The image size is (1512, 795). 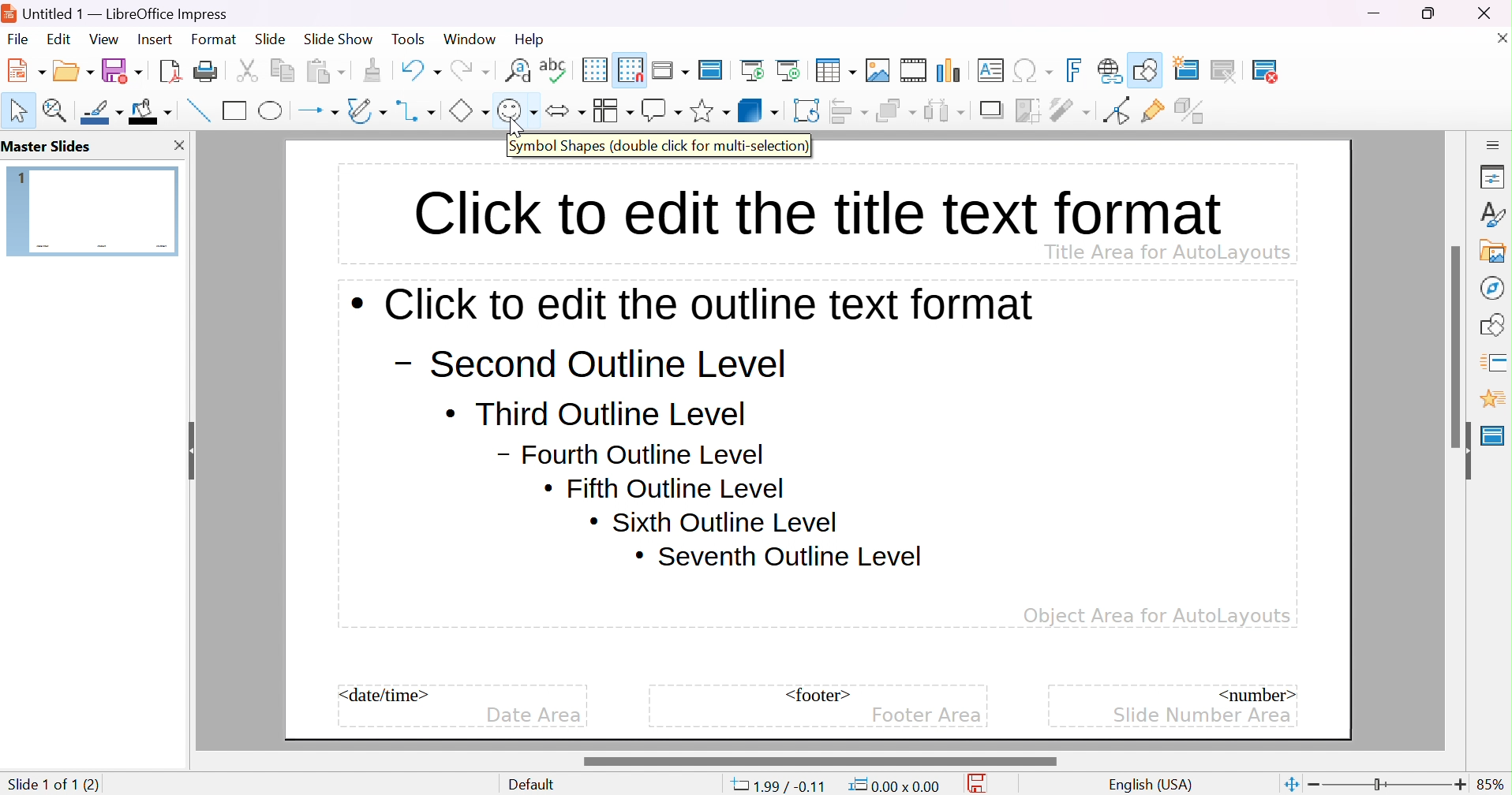 What do you see at coordinates (631, 68) in the screenshot?
I see `snap to grid` at bounding box center [631, 68].